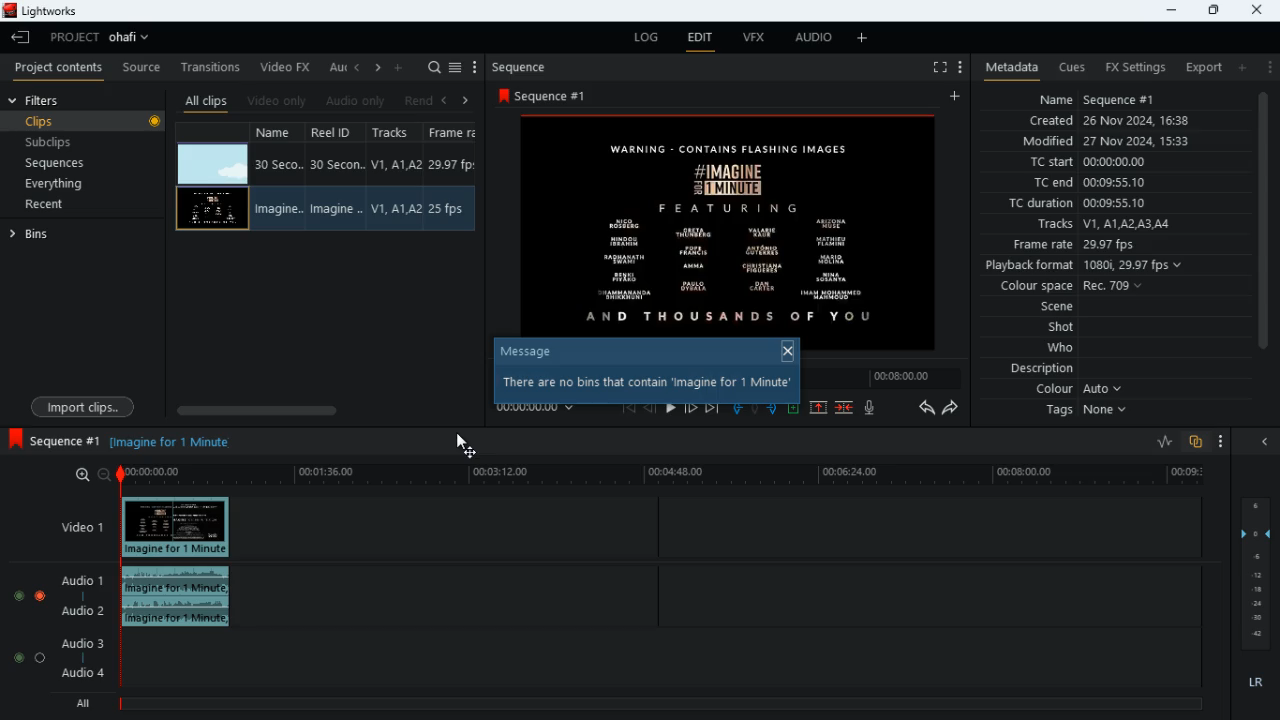 The image size is (1280, 720). Describe the element at coordinates (1133, 65) in the screenshot. I see `fx settings` at that location.